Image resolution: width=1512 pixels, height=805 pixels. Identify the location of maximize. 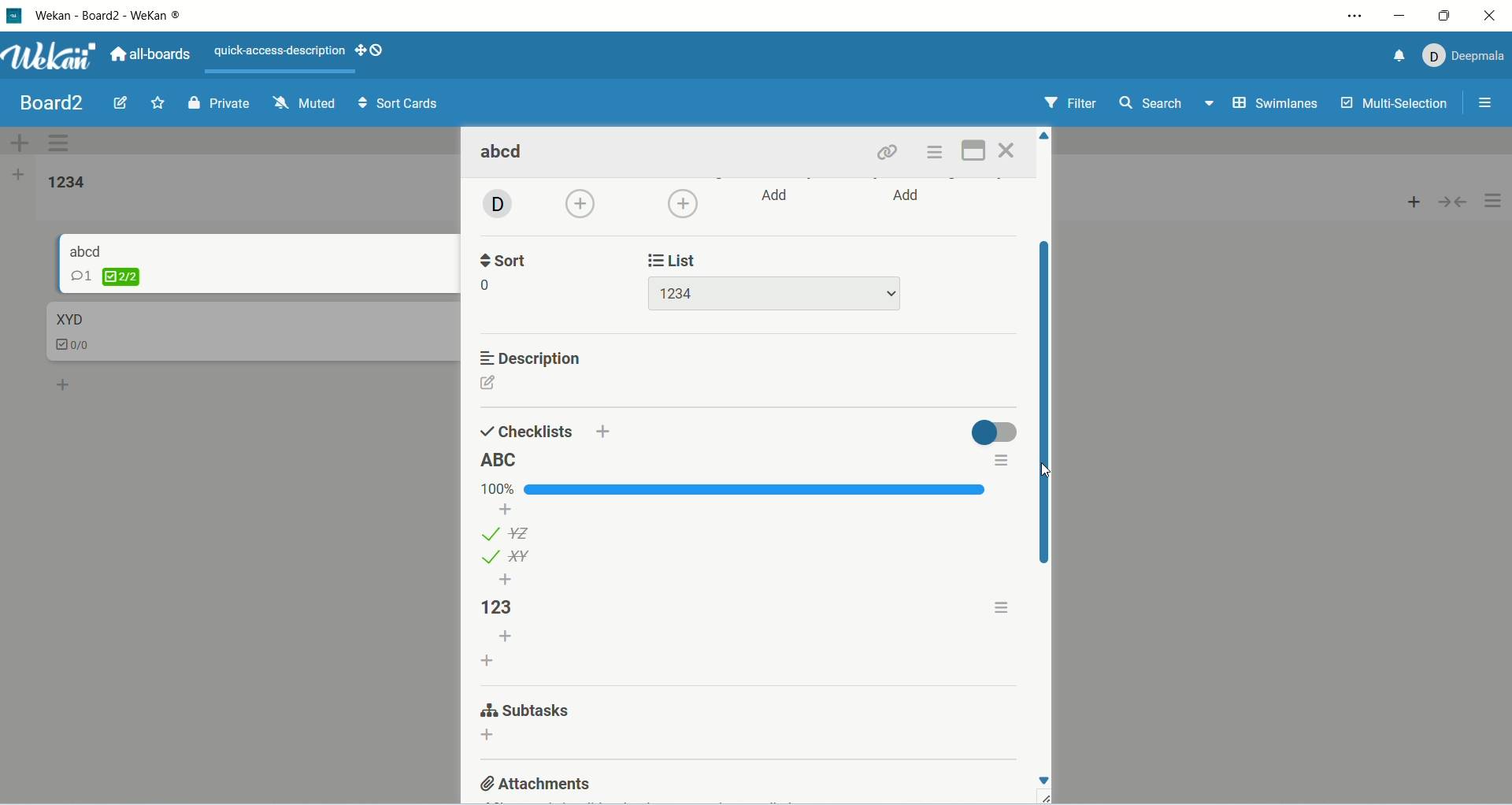
(972, 152).